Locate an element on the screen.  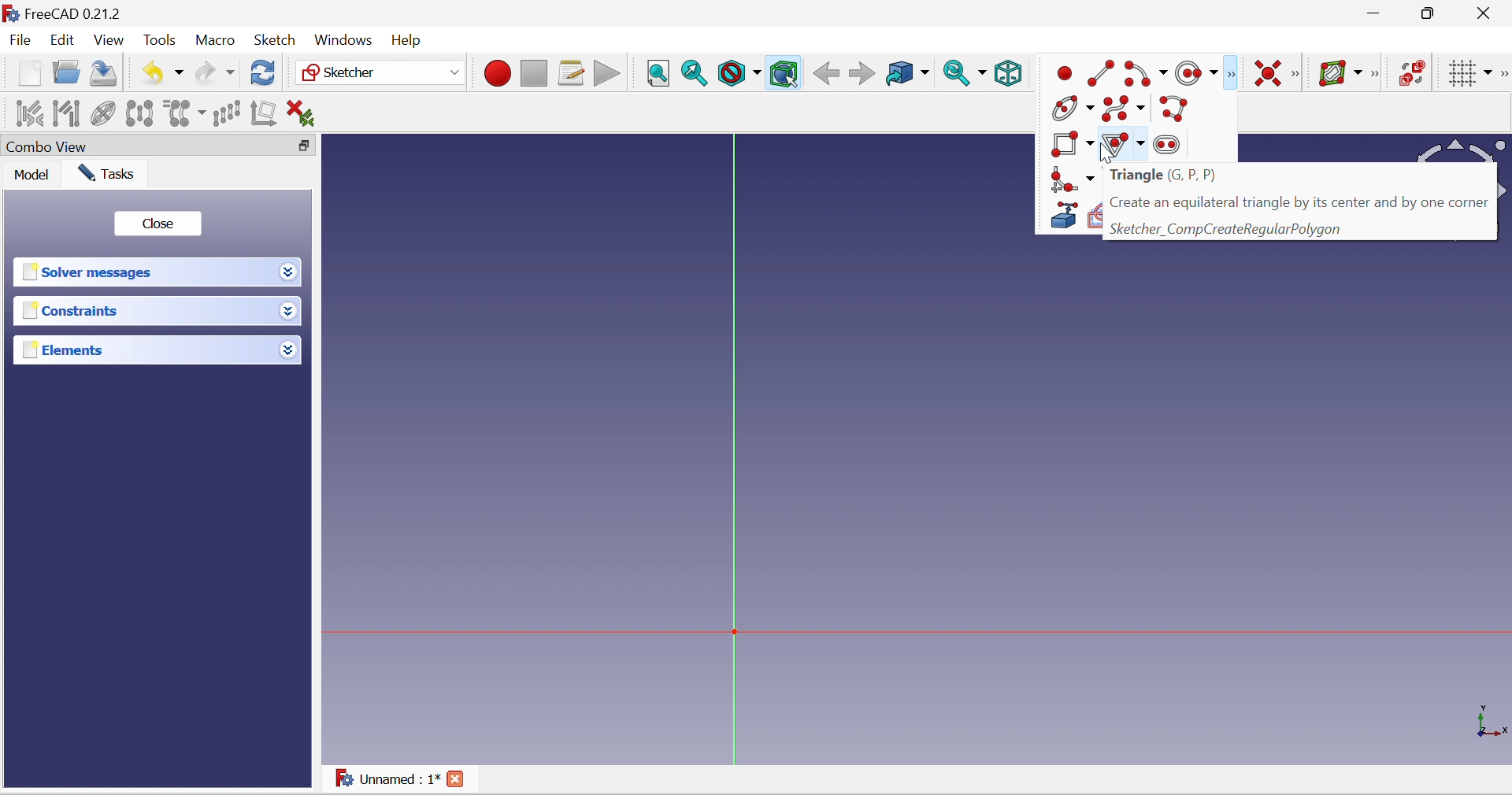
Forward is located at coordinates (862, 74).